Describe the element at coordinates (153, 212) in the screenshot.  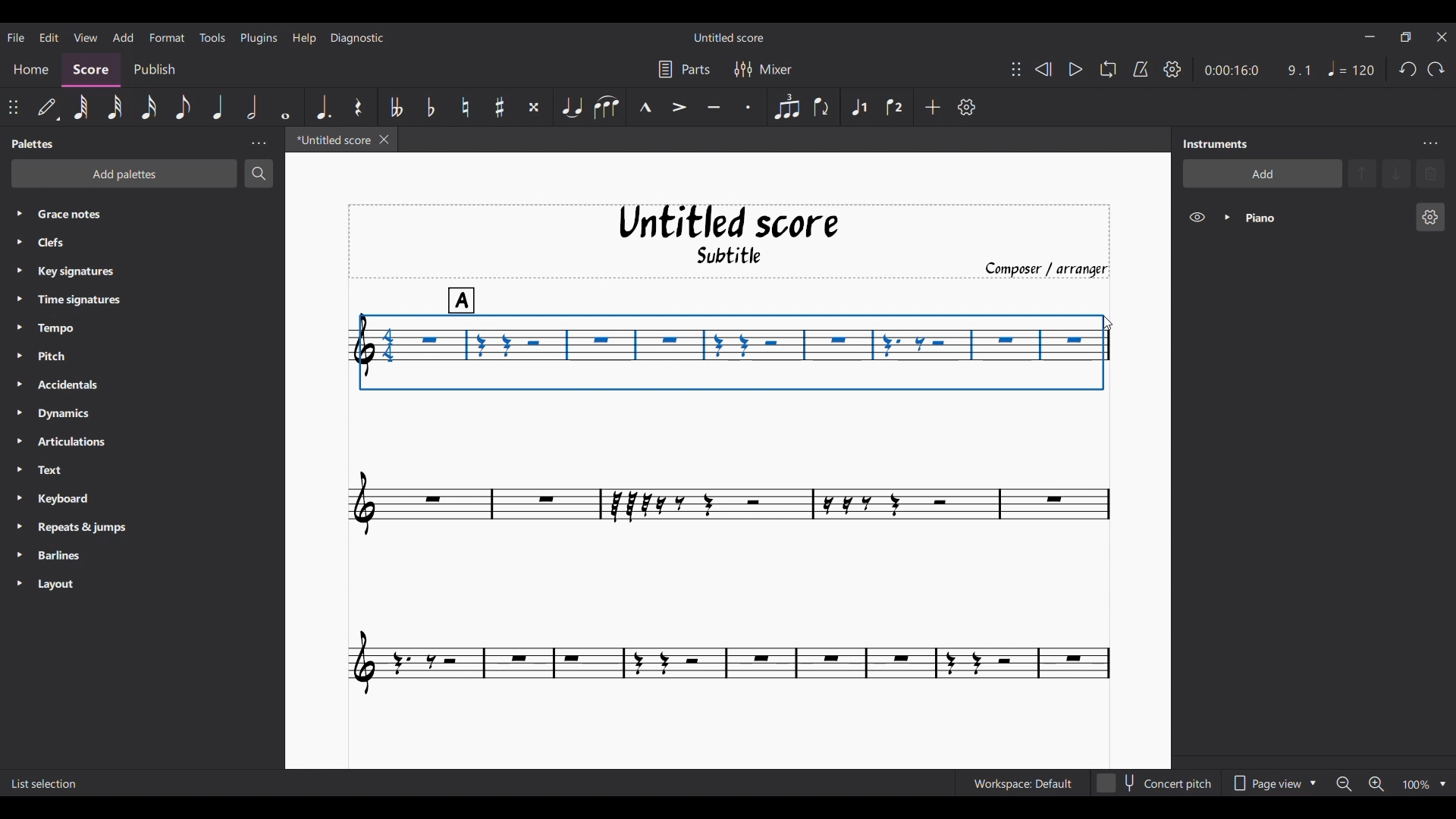
I see `Grace notes` at that location.